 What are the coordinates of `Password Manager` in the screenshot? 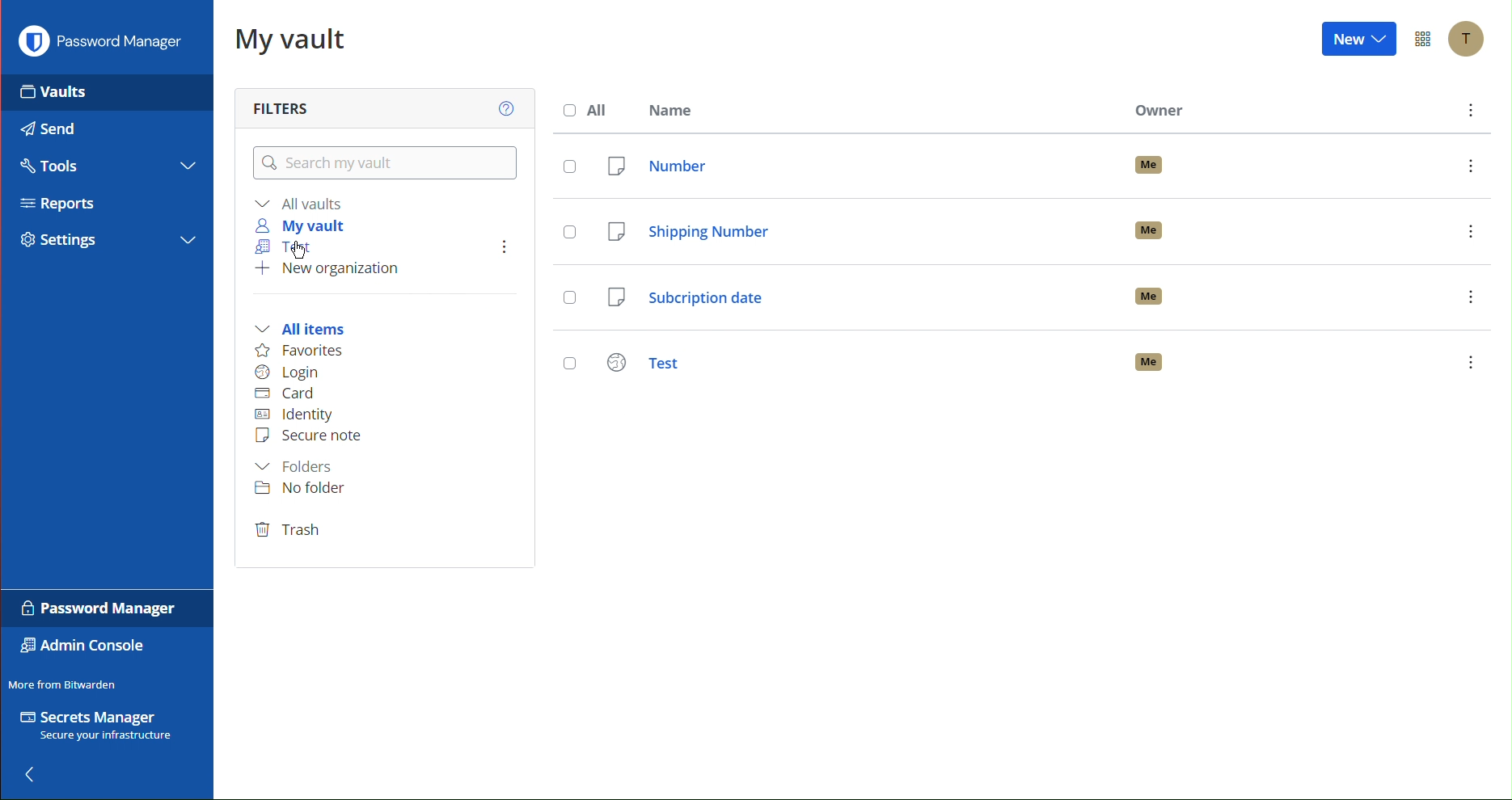 It's located at (100, 45).